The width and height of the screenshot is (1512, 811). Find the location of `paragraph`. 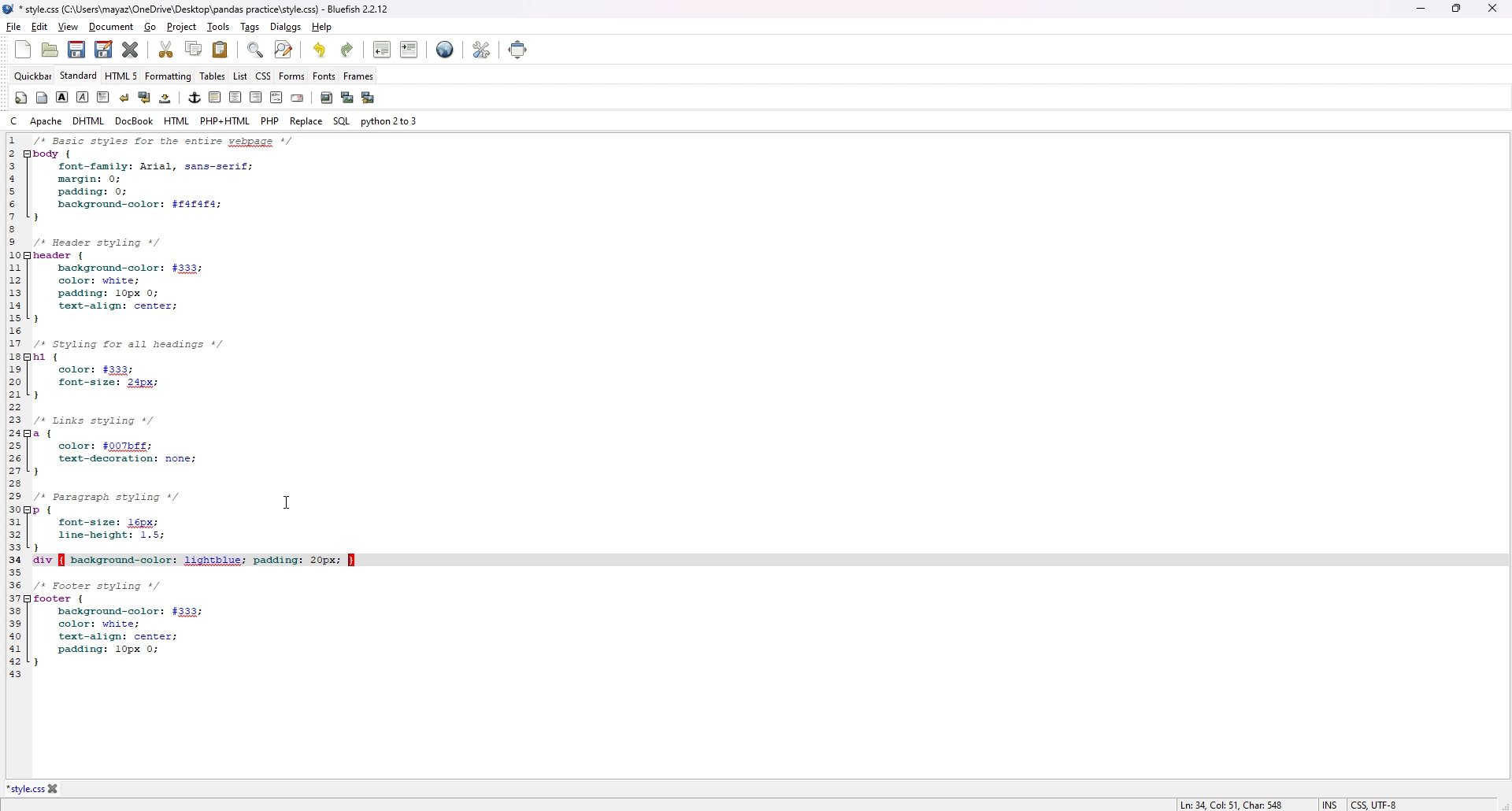

paragraph is located at coordinates (104, 97).